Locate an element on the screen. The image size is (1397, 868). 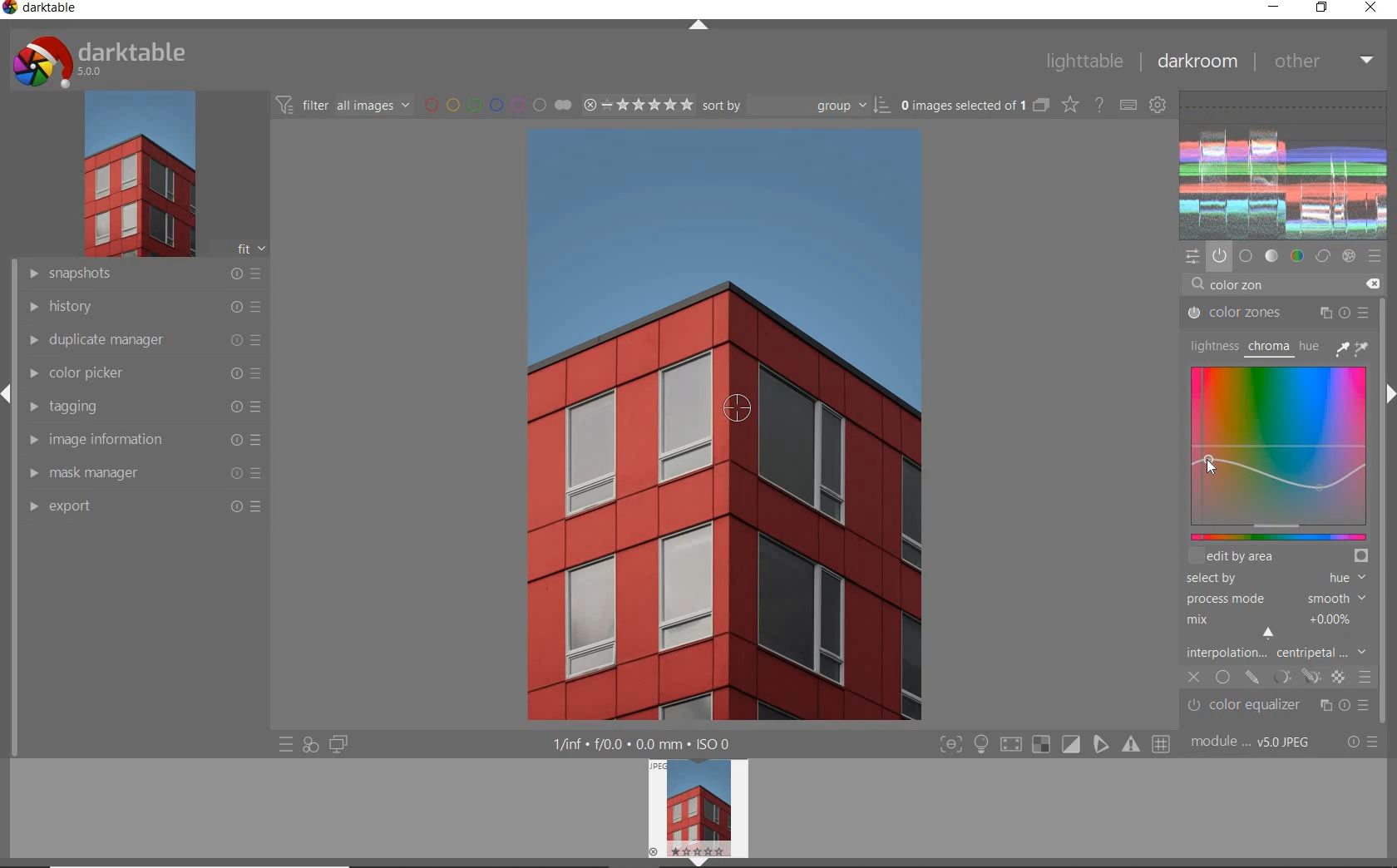
other is located at coordinates (1324, 60).